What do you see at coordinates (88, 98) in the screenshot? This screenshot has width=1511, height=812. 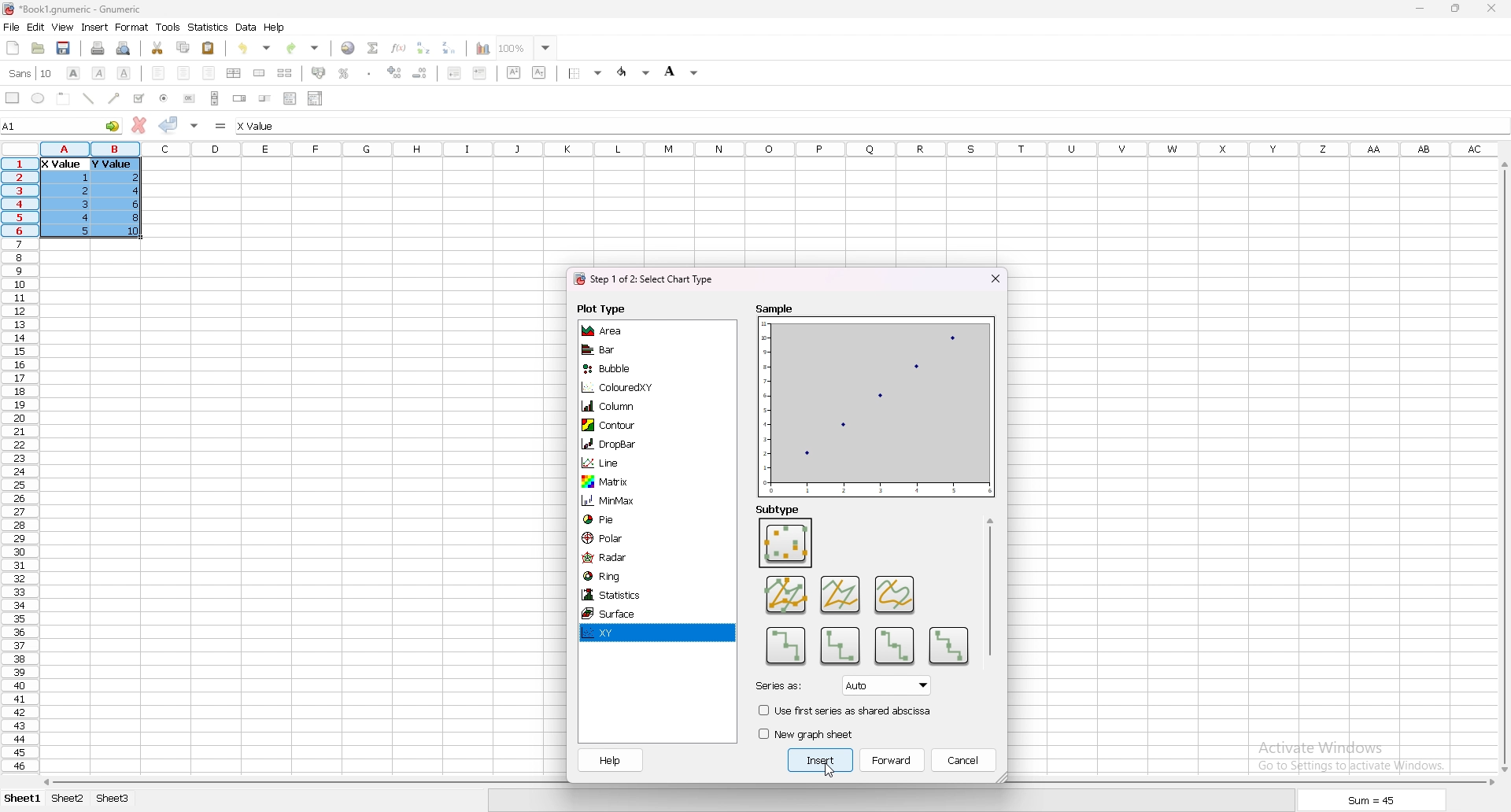 I see `line` at bounding box center [88, 98].